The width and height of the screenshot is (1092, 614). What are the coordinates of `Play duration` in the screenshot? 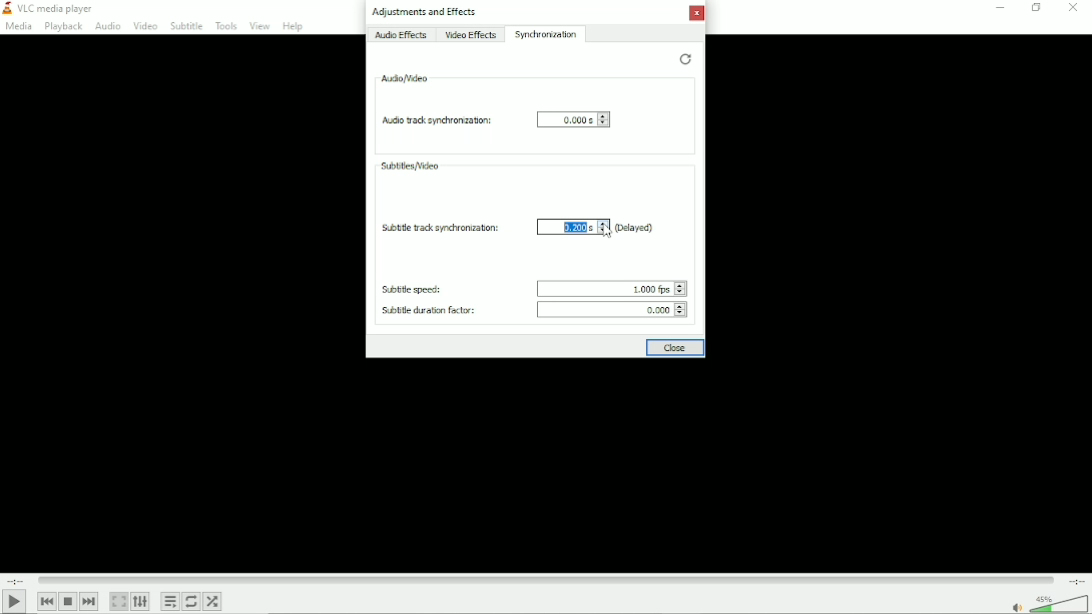 It's located at (546, 579).